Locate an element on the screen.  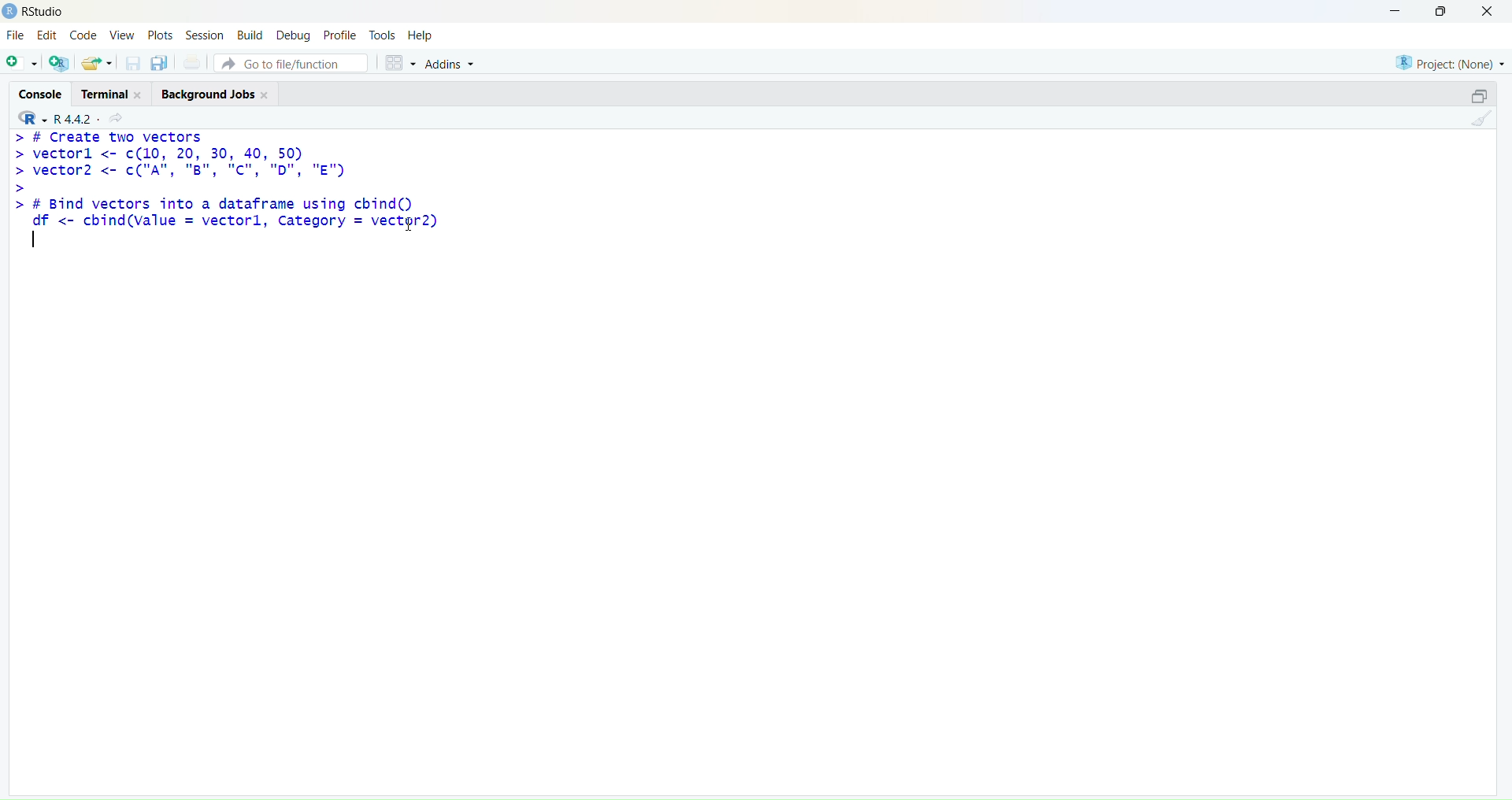
Addins is located at coordinates (449, 64).